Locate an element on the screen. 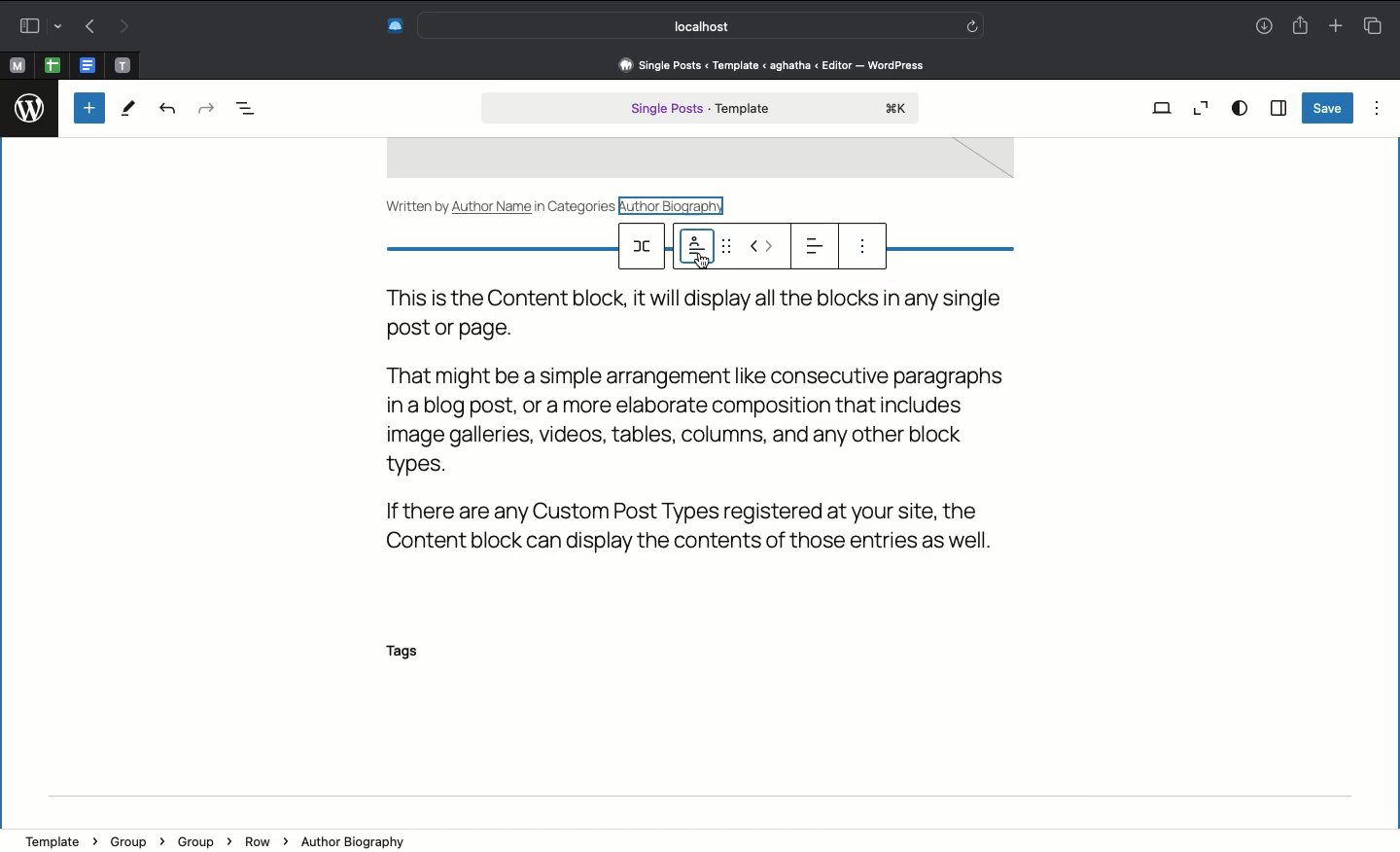 The image size is (1400, 852). Left aligned  is located at coordinates (812, 245).